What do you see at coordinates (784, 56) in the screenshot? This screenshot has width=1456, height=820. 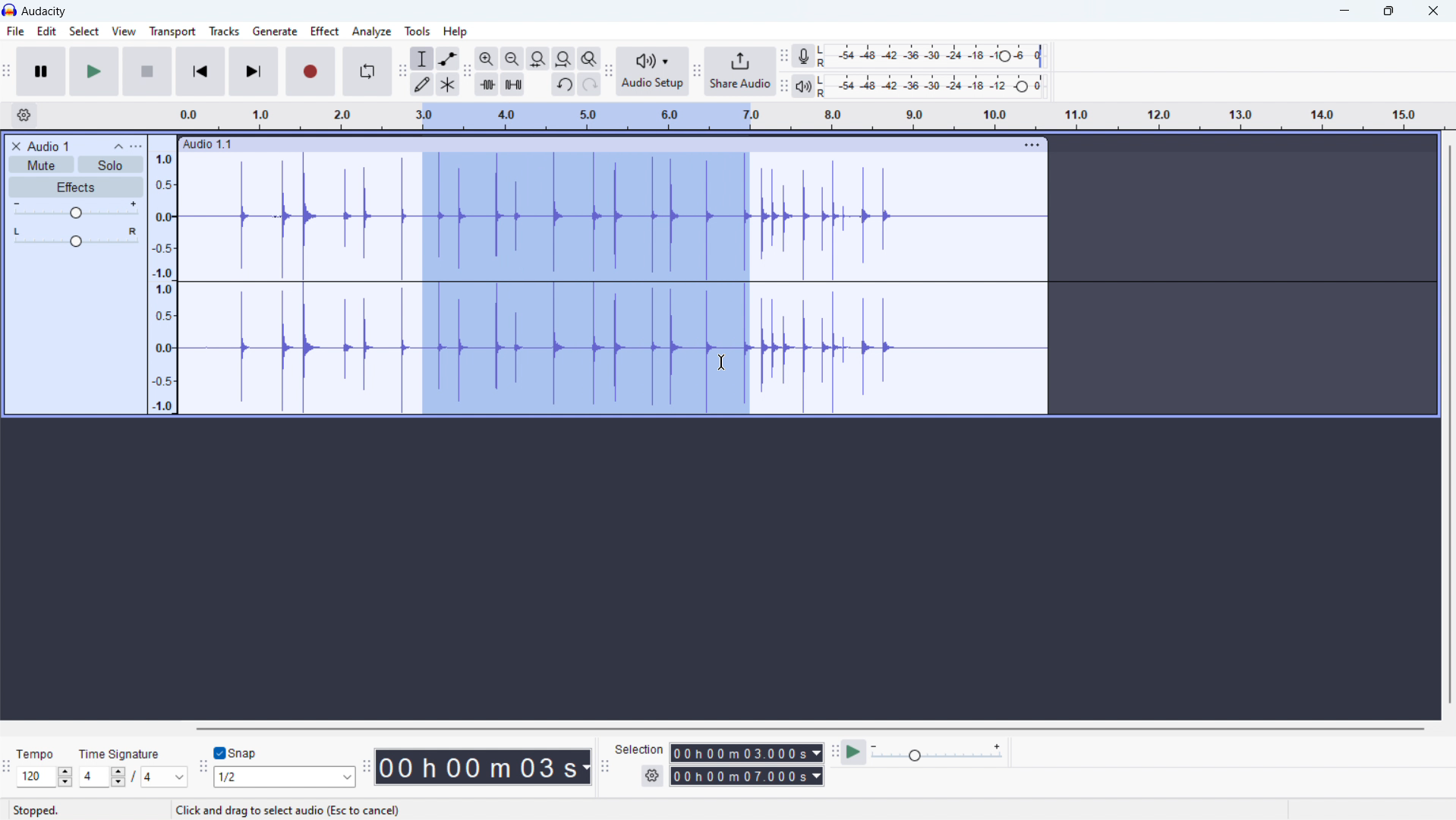 I see `recording meter toolbar` at bounding box center [784, 56].